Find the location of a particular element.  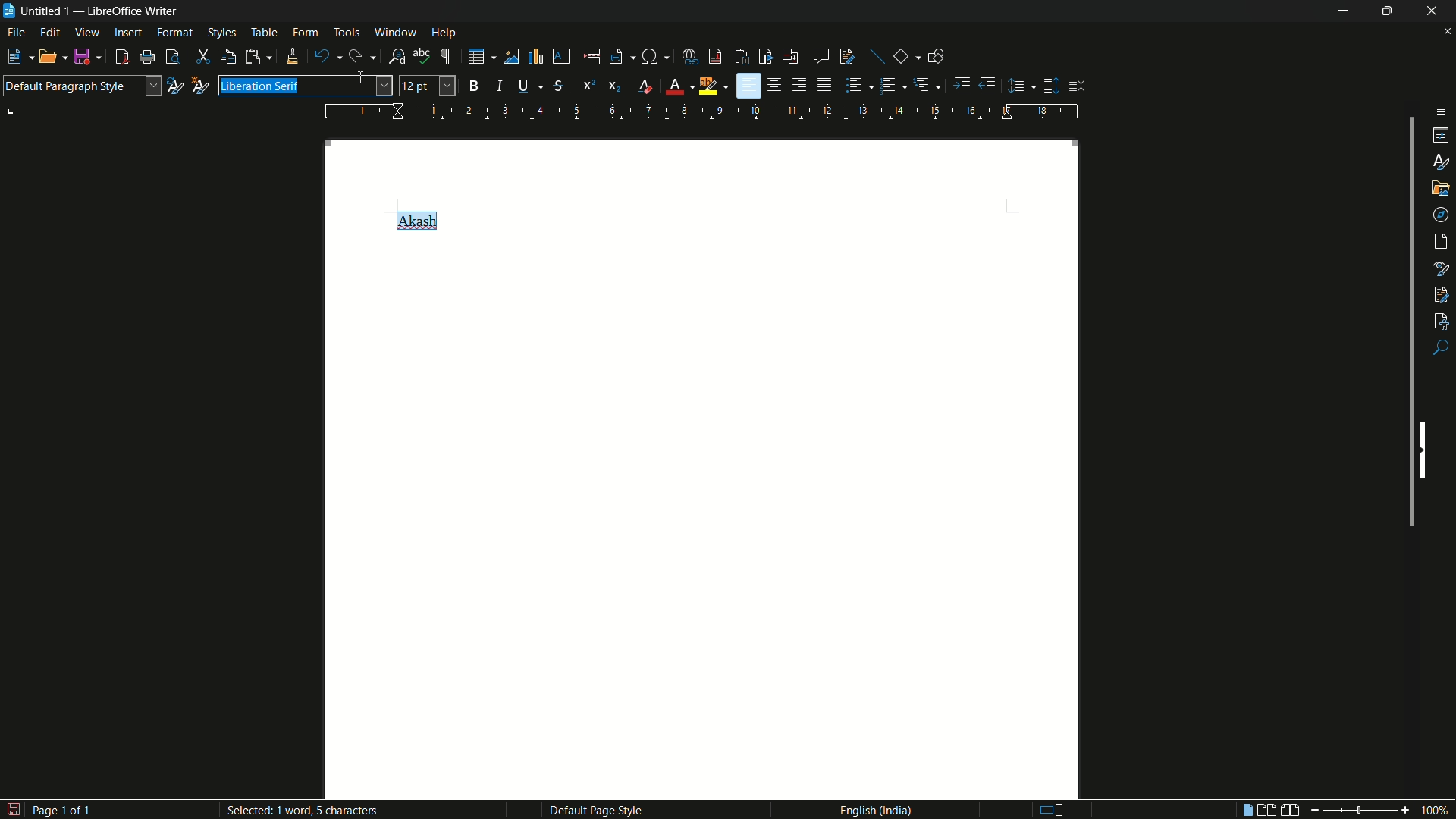

typing is located at coordinates (1046, 808).